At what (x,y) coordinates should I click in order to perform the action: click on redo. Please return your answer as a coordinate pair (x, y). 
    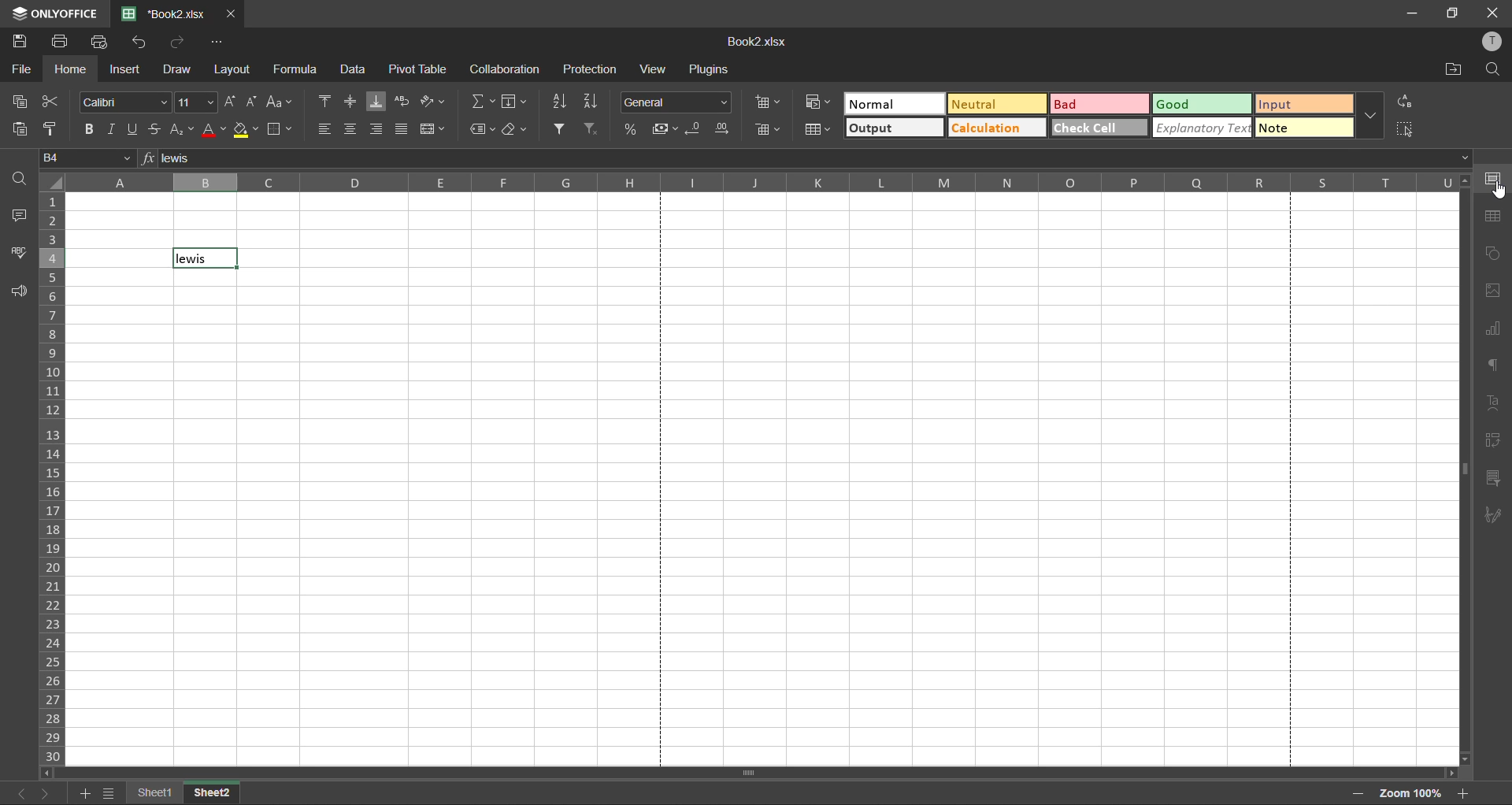
    Looking at the image, I should click on (180, 43).